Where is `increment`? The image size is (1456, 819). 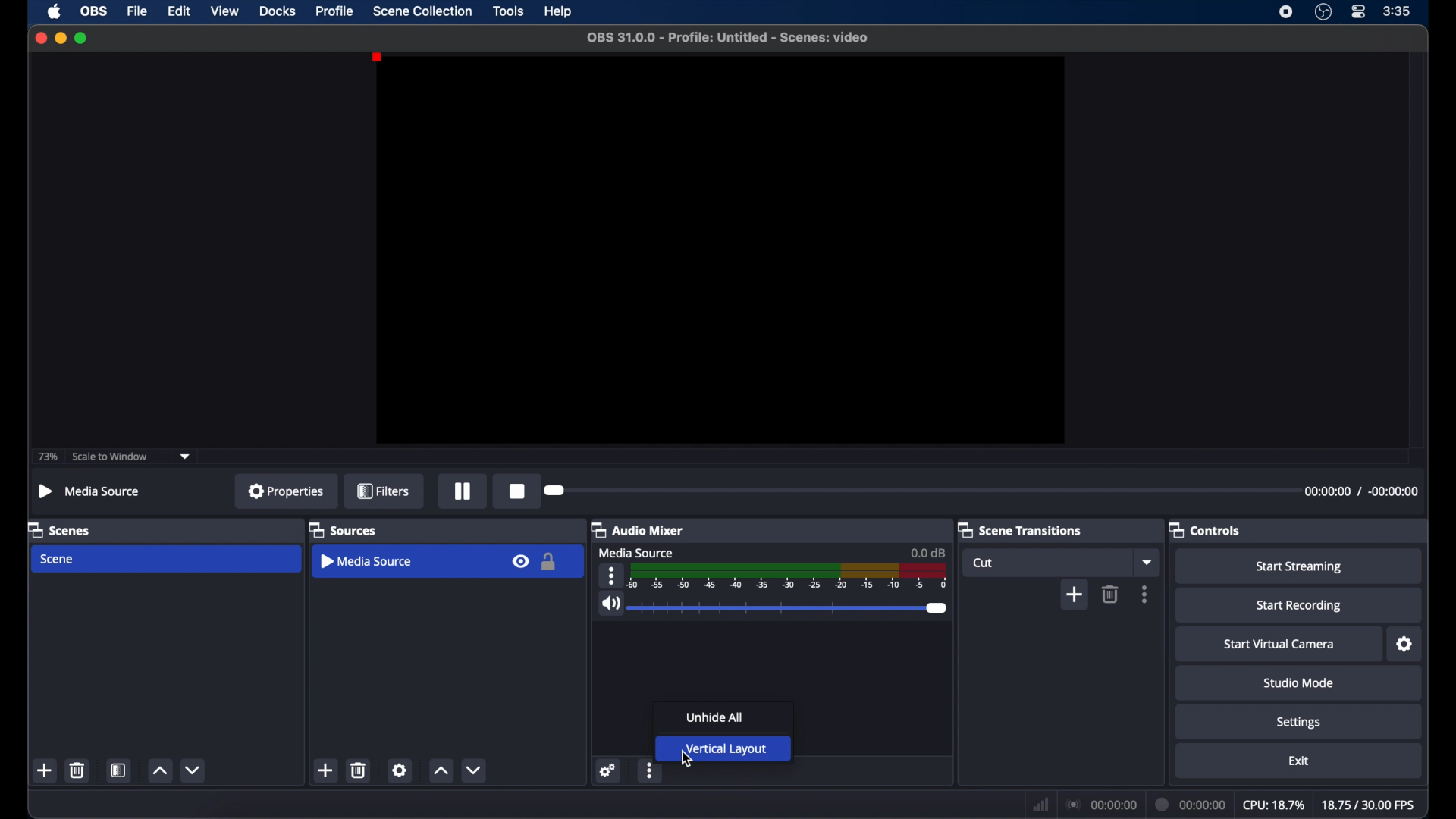 increment is located at coordinates (440, 770).